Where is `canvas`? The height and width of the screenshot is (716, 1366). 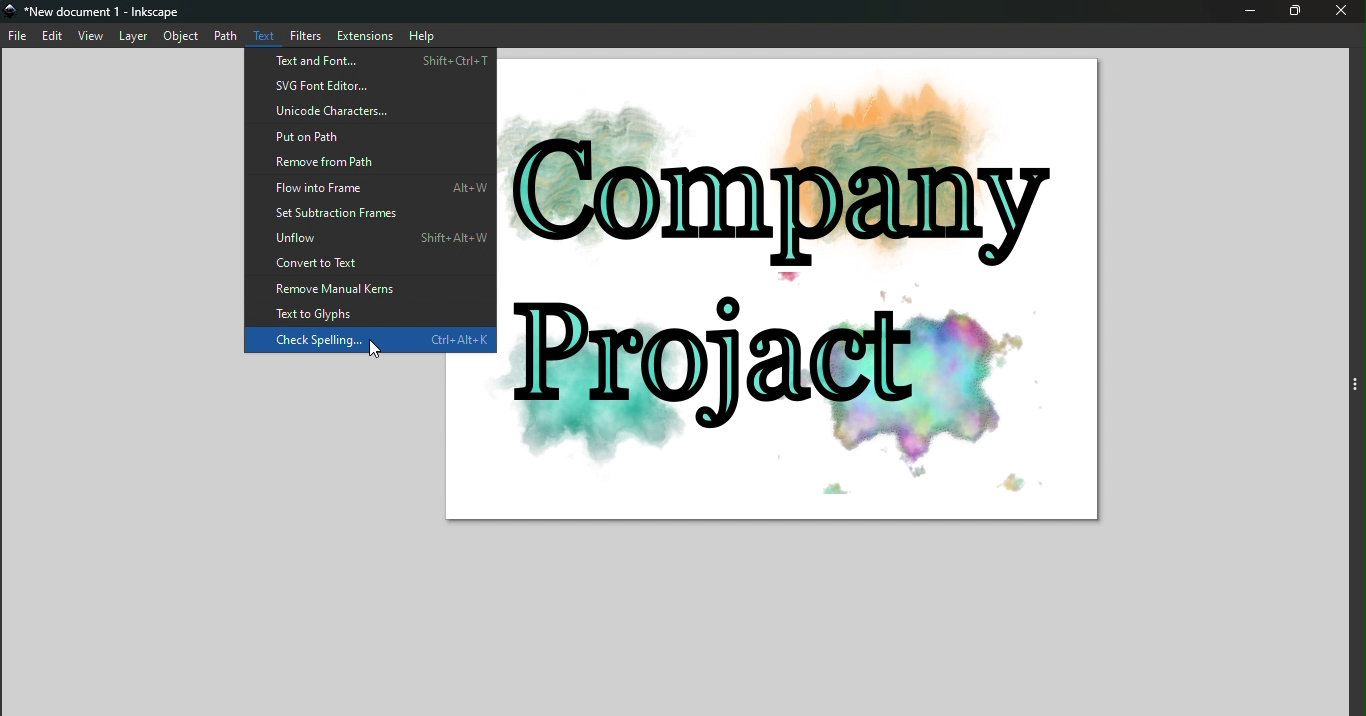 canvas is located at coordinates (800, 289).